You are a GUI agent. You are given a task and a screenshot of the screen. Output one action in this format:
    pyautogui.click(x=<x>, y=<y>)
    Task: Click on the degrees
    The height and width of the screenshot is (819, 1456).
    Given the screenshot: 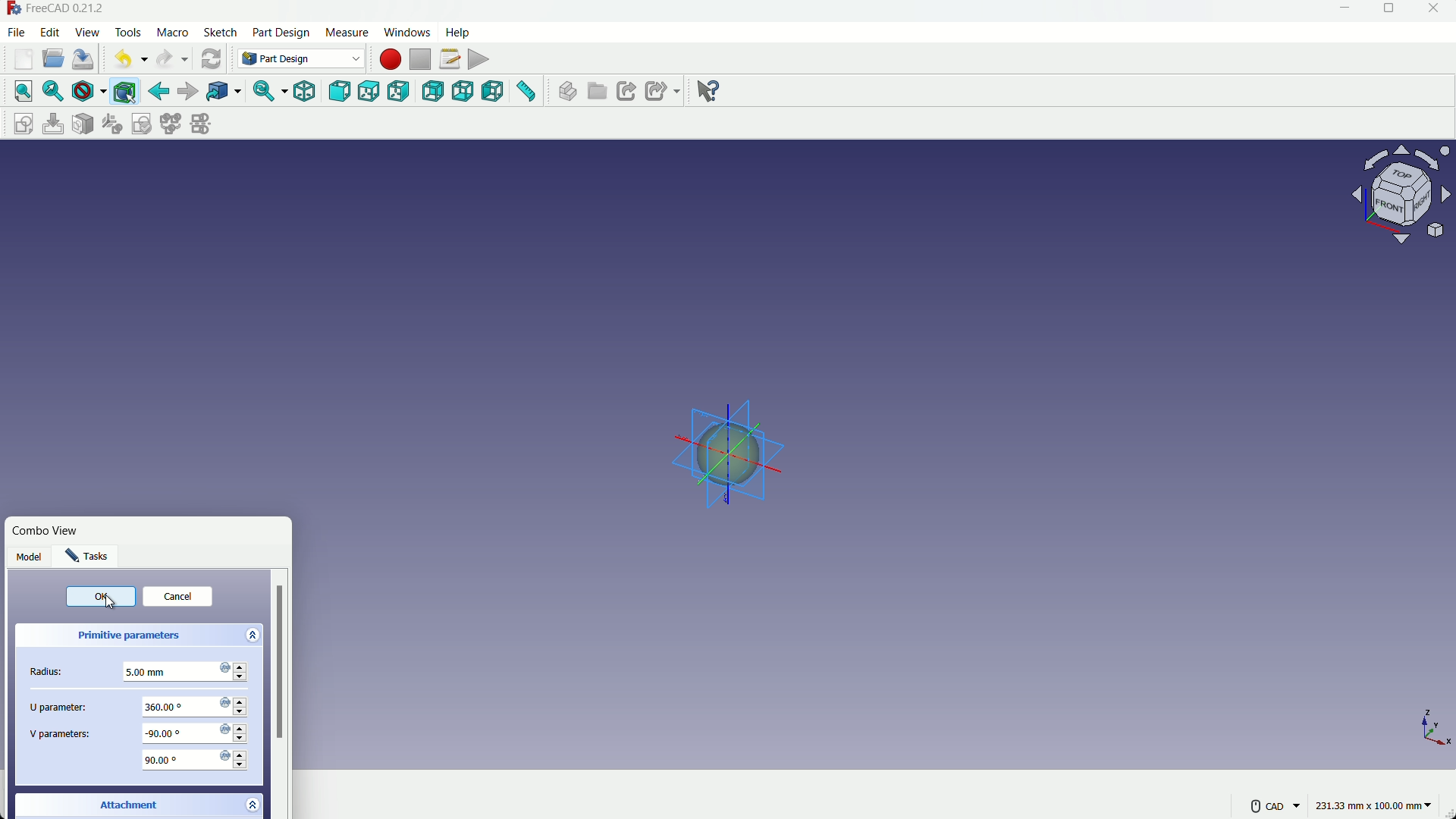 What is the action you would take?
    pyautogui.click(x=195, y=759)
    